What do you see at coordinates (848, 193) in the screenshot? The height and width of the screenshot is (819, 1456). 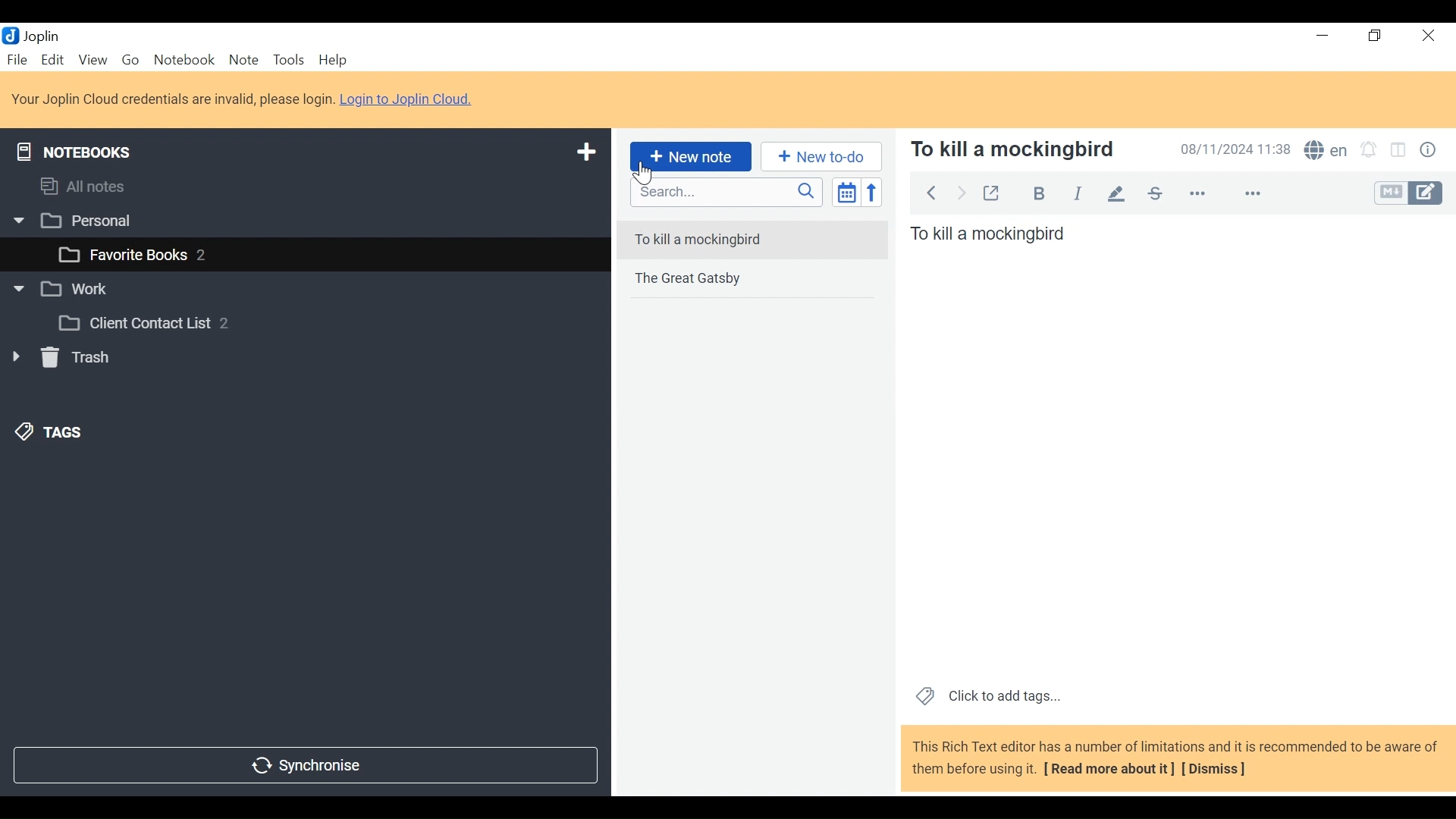 I see `Toggle sort order field ` at bounding box center [848, 193].